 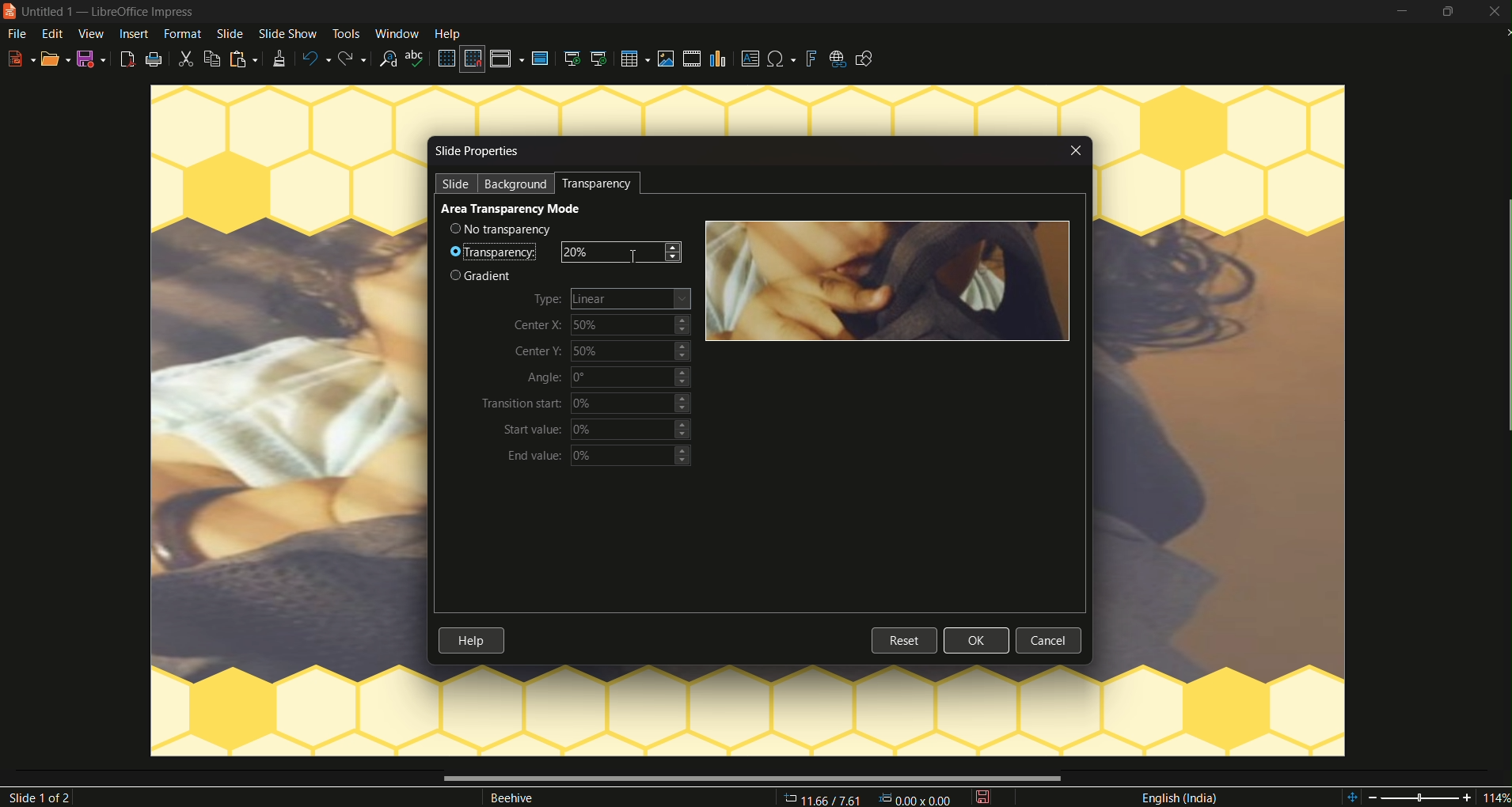 I want to click on new file, so click(x=21, y=59).